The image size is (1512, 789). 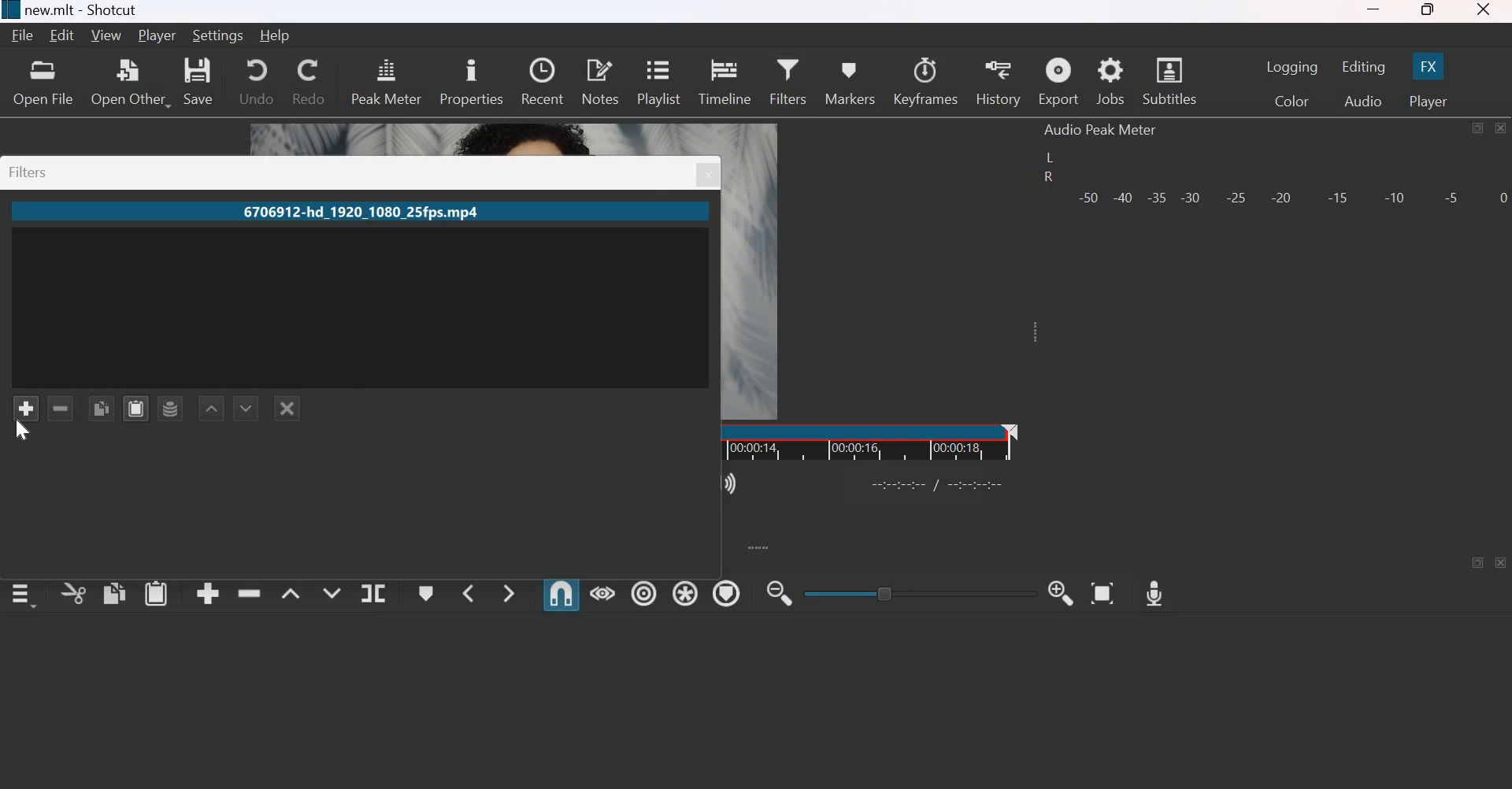 What do you see at coordinates (758, 546) in the screenshot?
I see `expand` at bounding box center [758, 546].